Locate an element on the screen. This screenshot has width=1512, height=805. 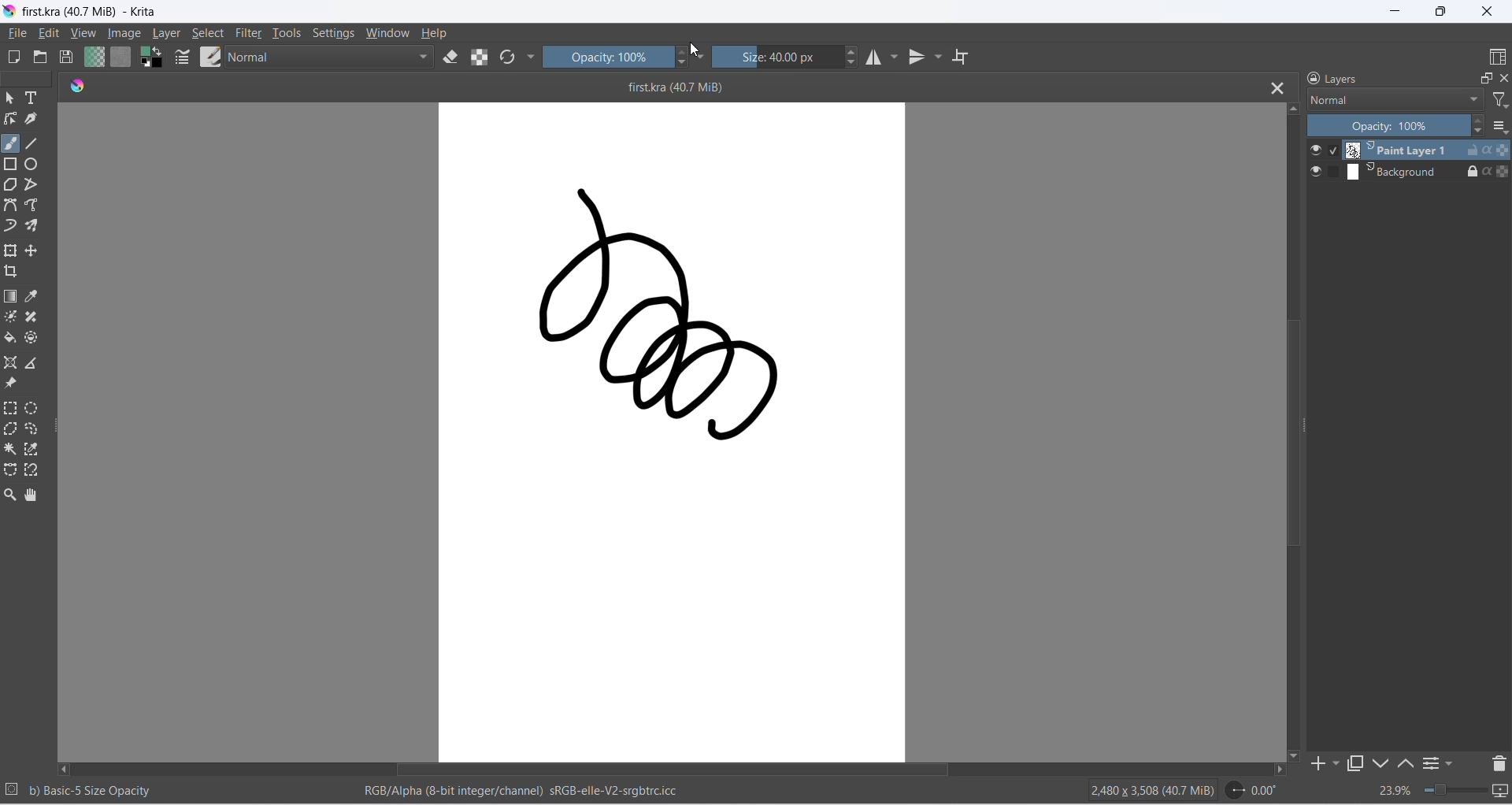
view is located at coordinates (83, 33).